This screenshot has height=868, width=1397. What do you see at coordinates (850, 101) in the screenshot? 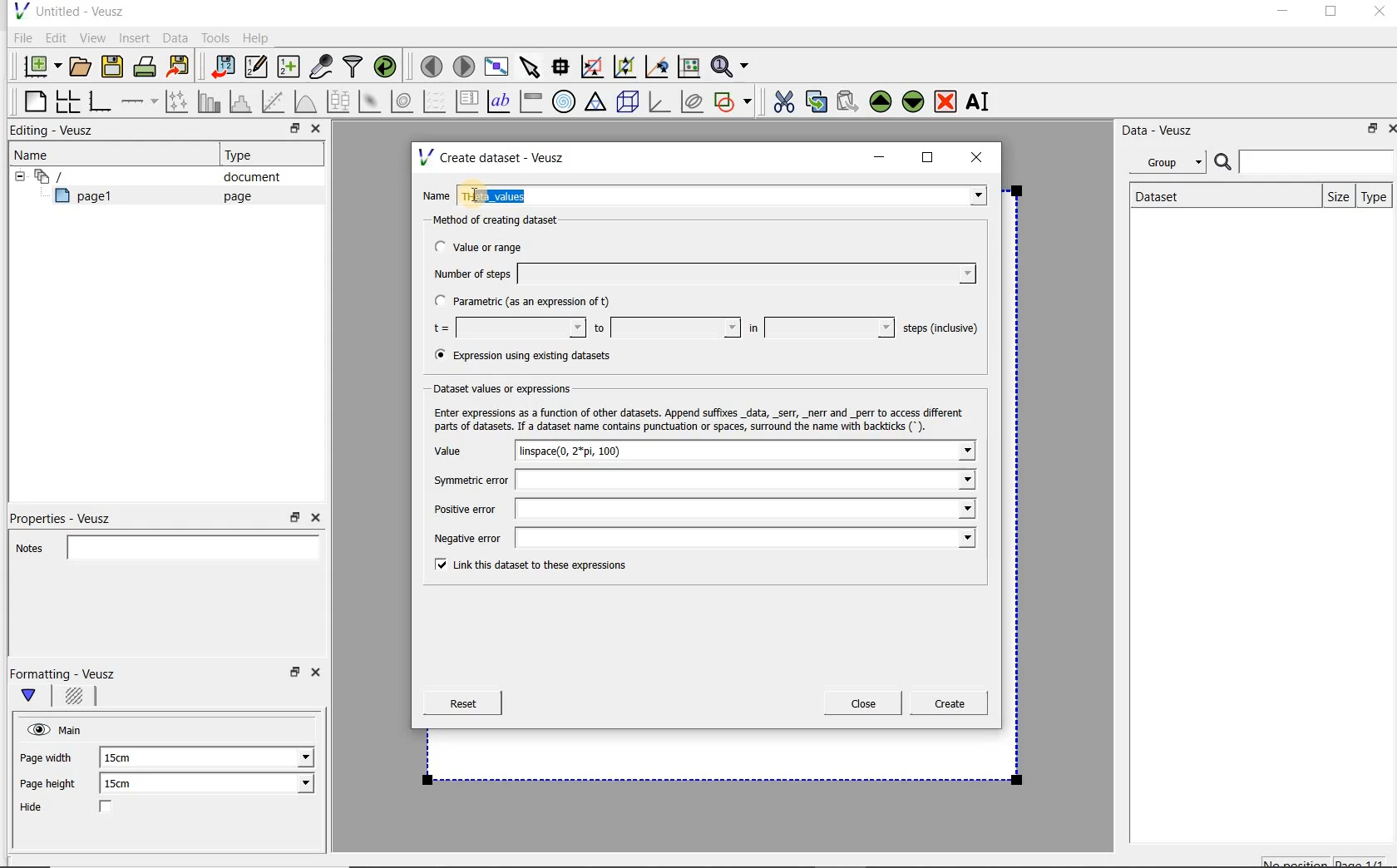
I see `Paste widget from the clipboard` at bounding box center [850, 101].